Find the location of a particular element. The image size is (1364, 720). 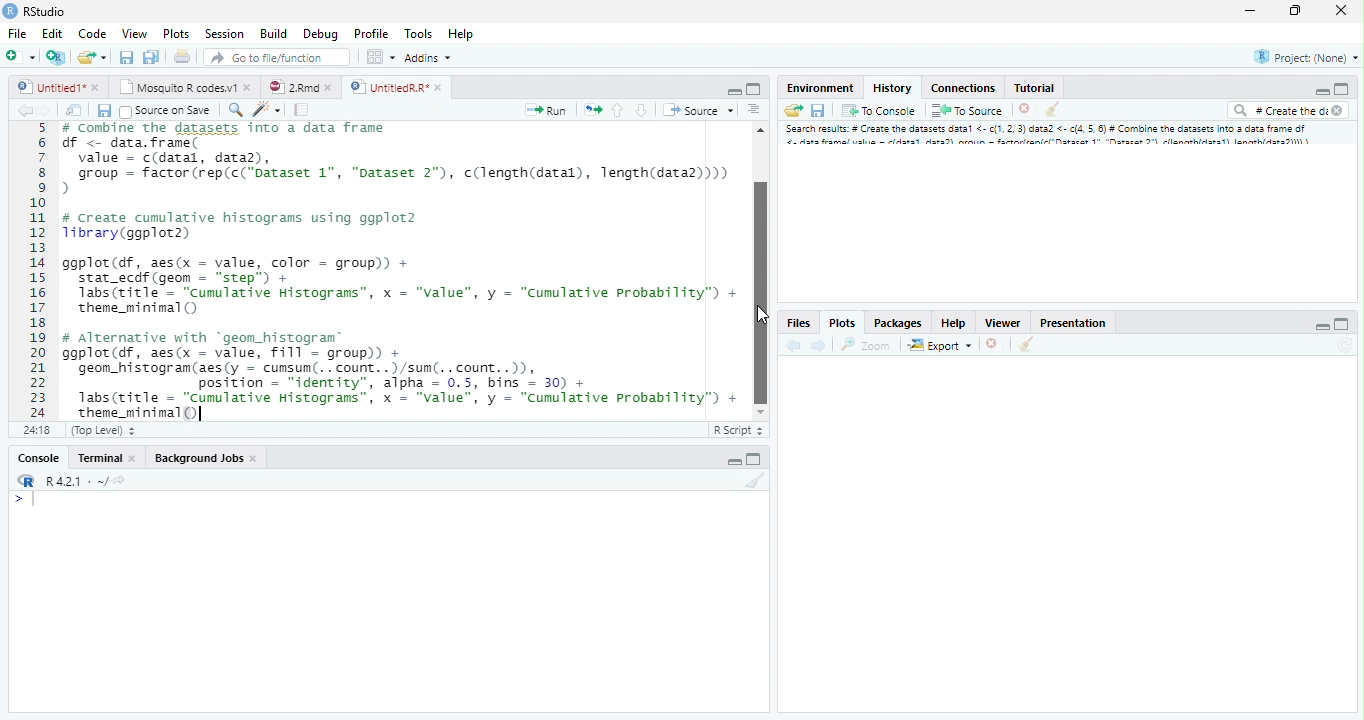

Workspace pane is located at coordinates (381, 58).